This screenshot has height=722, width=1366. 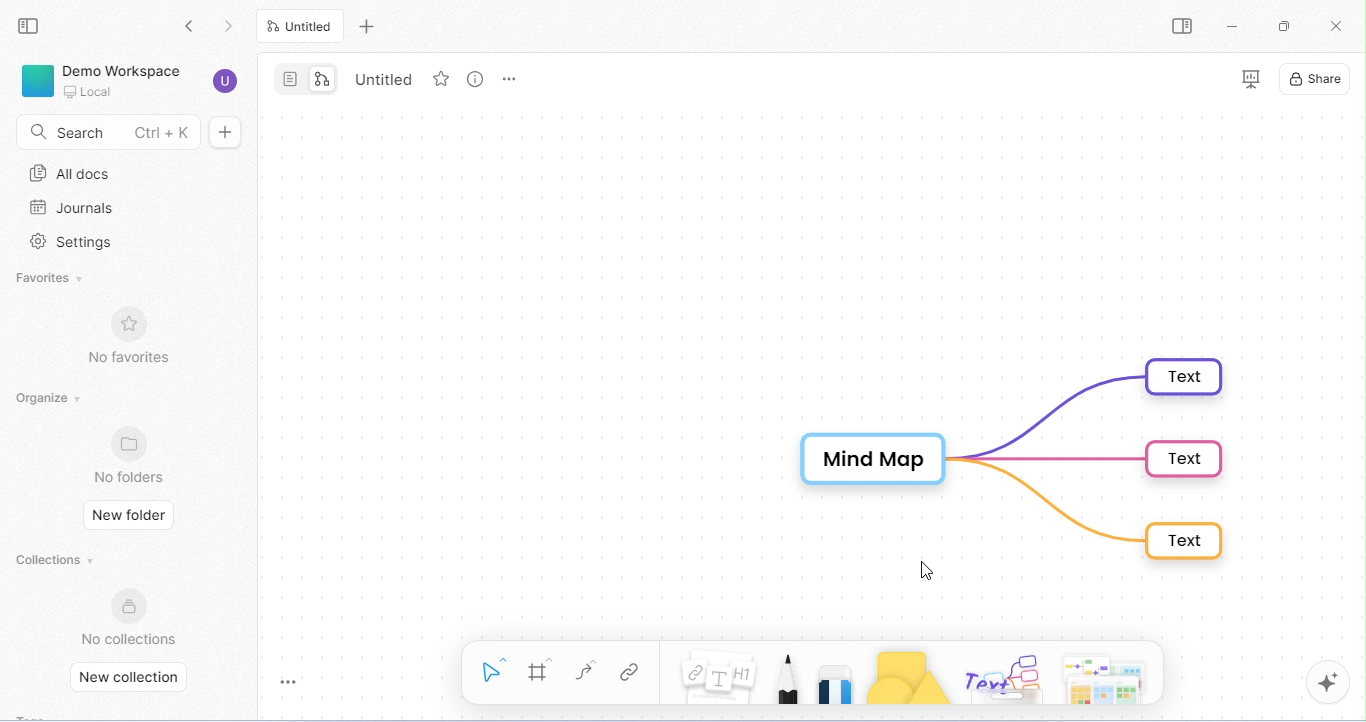 I want to click on collapse side bar, so click(x=32, y=27).